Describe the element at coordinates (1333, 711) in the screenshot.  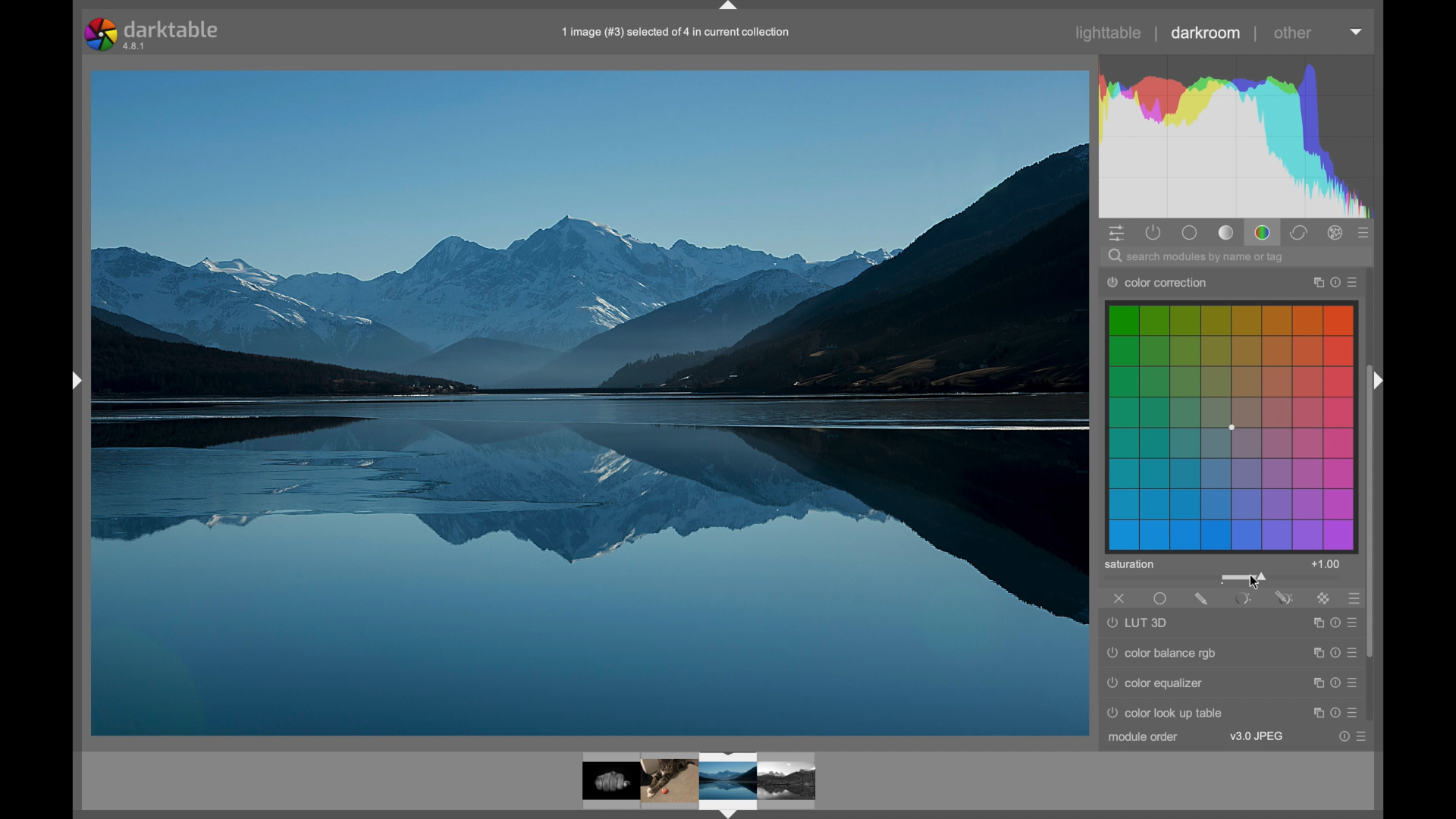
I see `options` at that location.